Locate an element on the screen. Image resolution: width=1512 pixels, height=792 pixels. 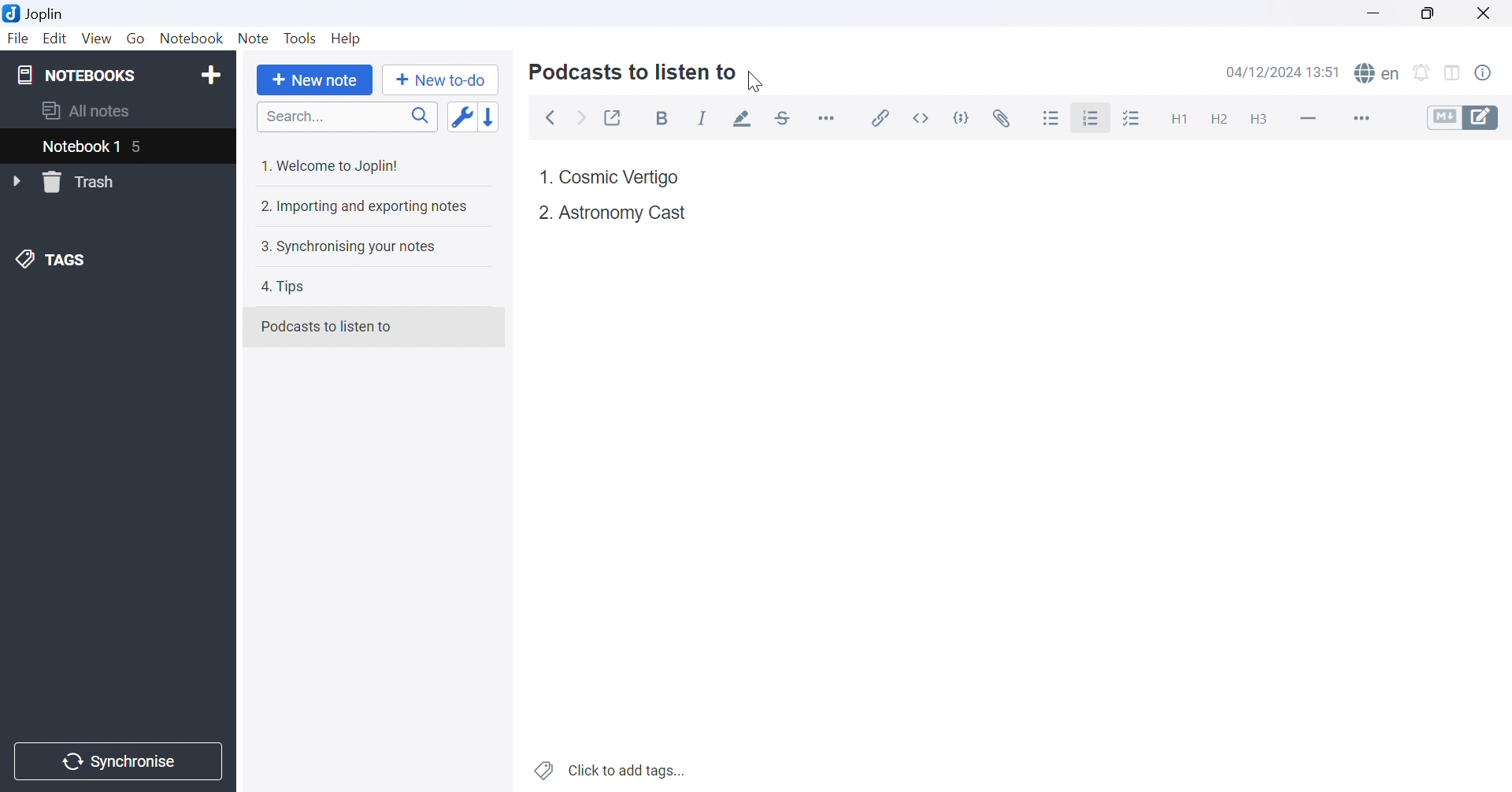
Forward is located at coordinates (584, 120).